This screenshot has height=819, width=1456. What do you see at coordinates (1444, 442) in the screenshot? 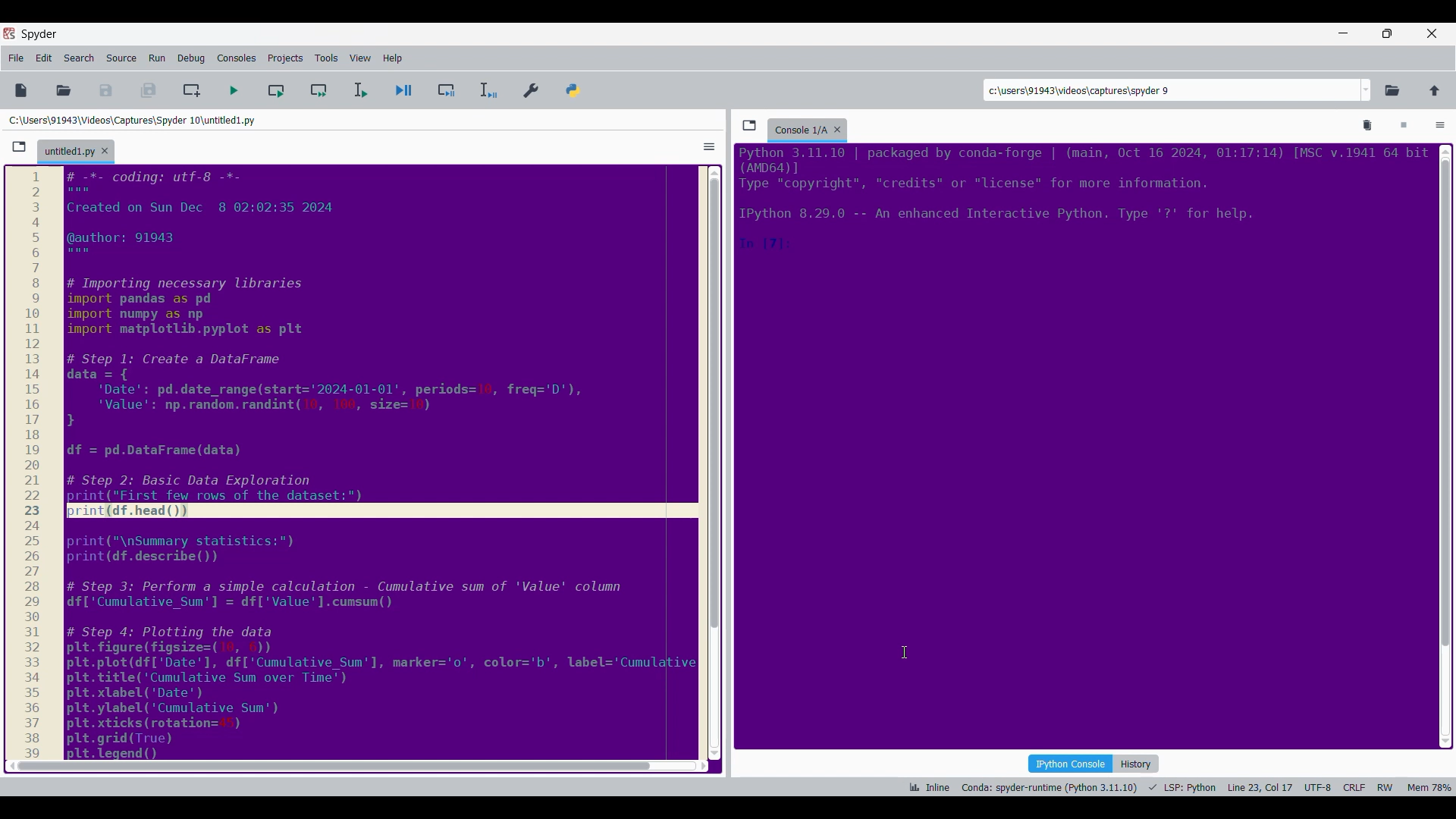
I see `scroll bar` at bounding box center [1444, 442].